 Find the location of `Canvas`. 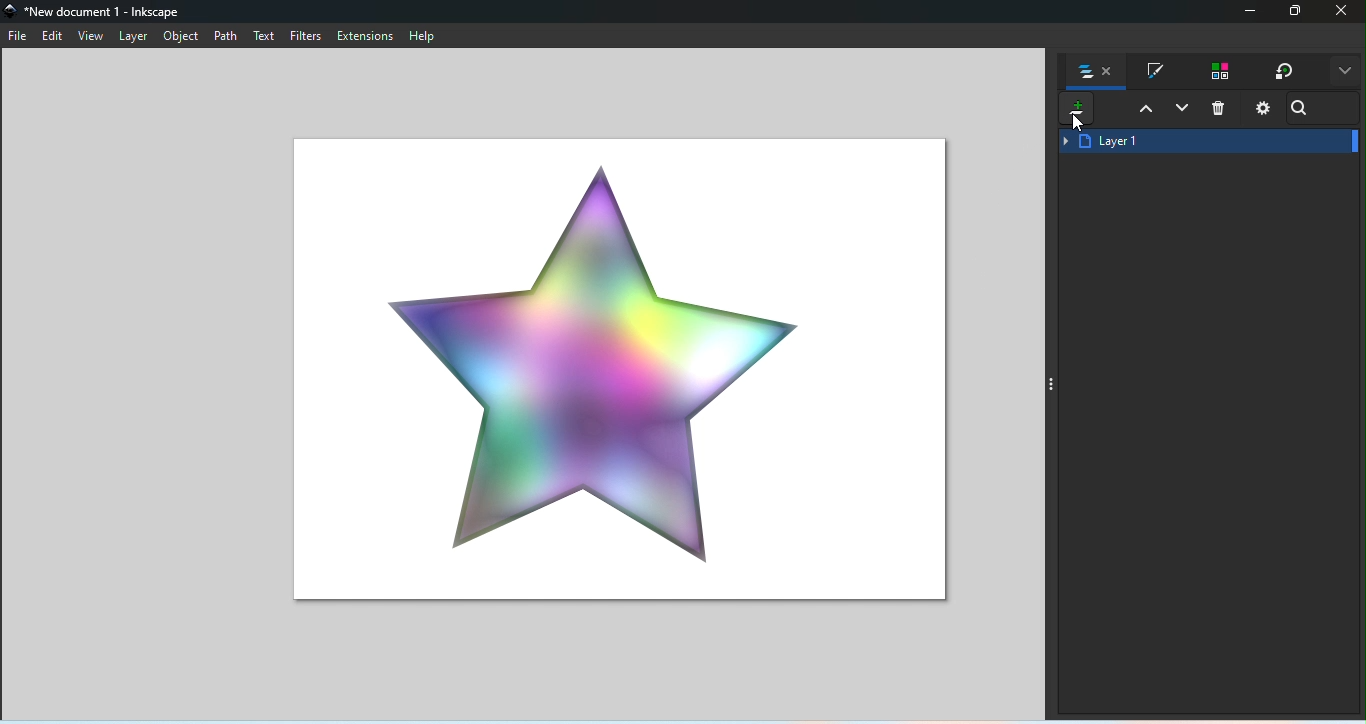

Canvas is located at coordinates (612, 365).